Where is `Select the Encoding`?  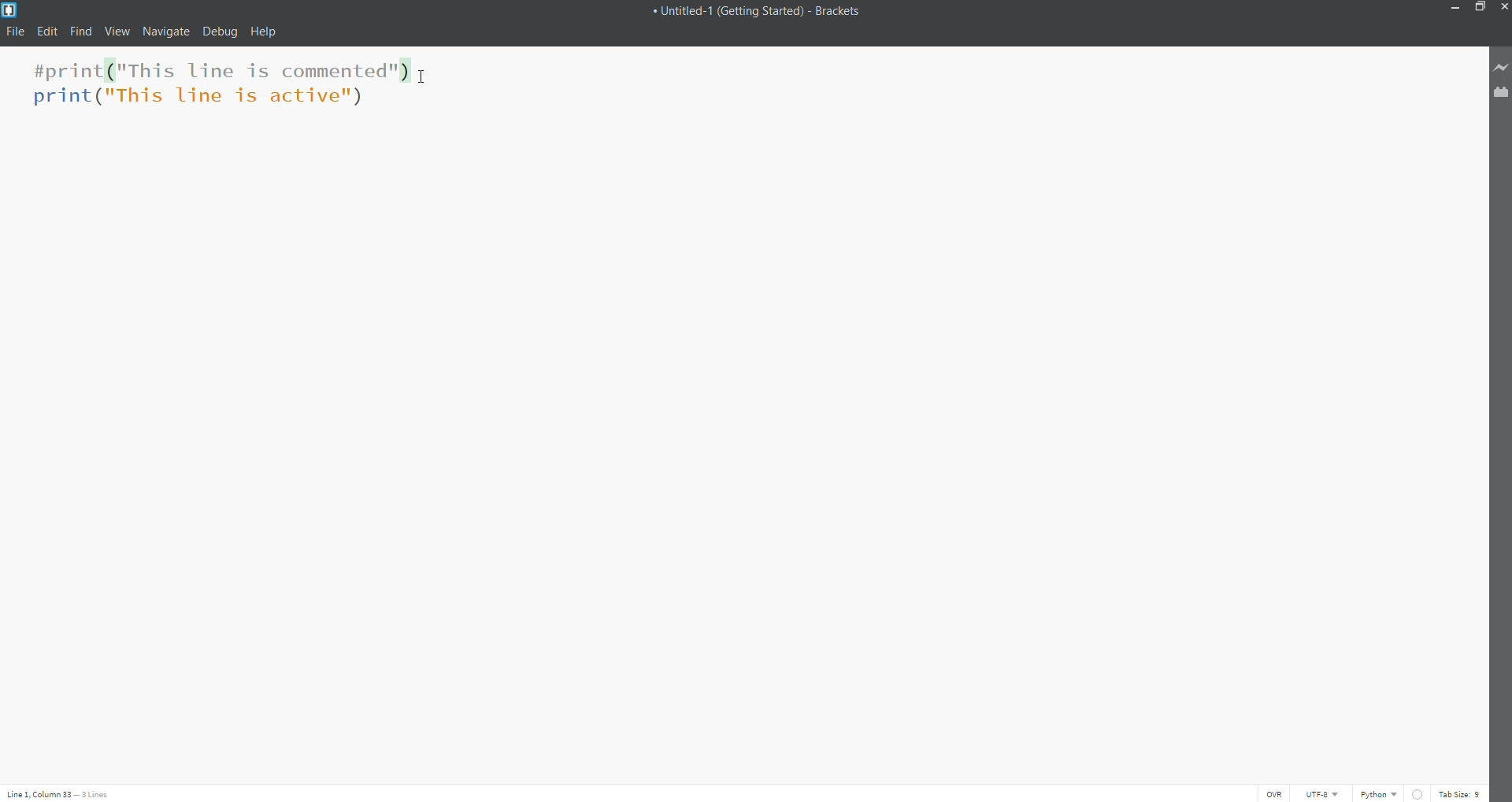
Select the Encoding is located at coordinates (1324, 793).